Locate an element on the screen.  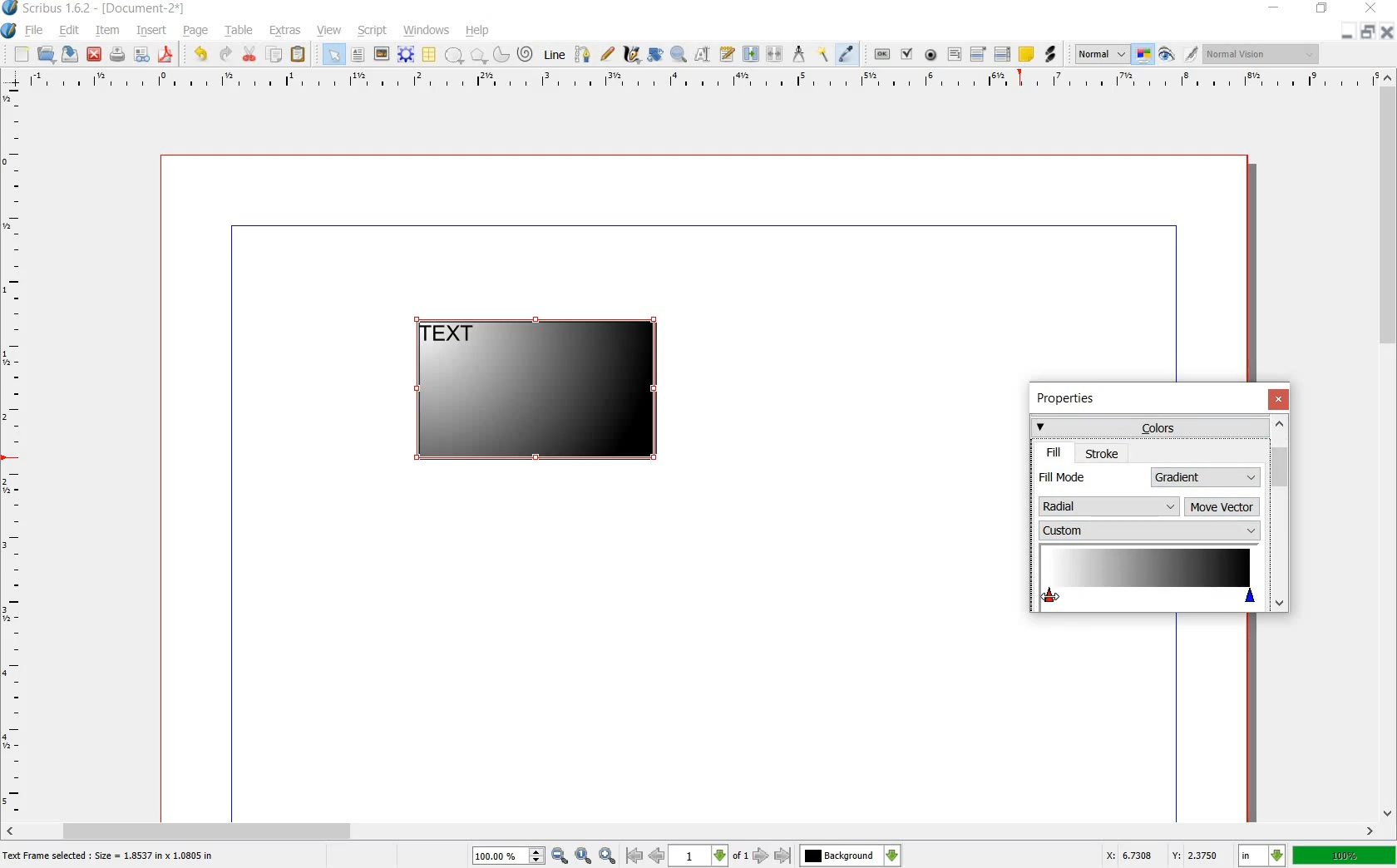
freehand line is located at coordinates (607, 53).